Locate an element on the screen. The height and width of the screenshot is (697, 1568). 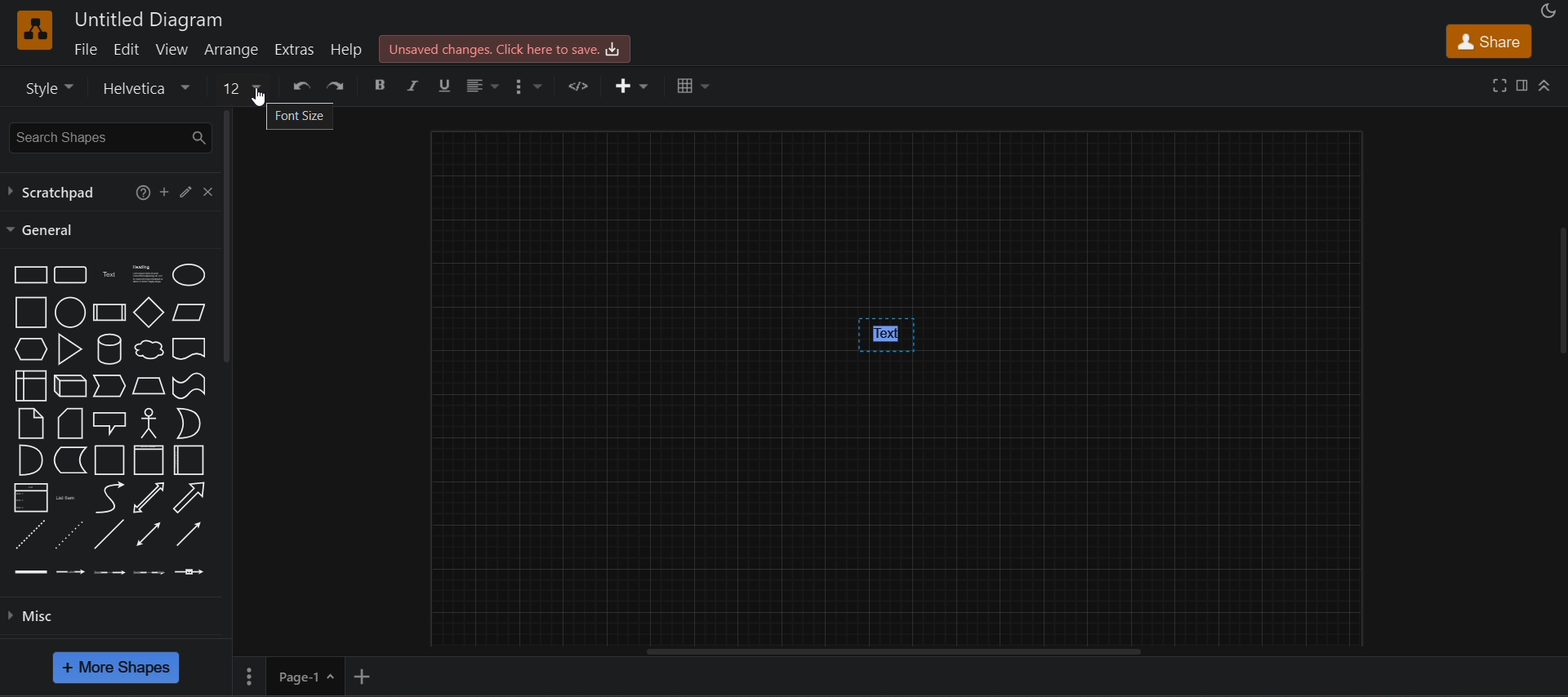
font size is located at coordinates (301, 117).